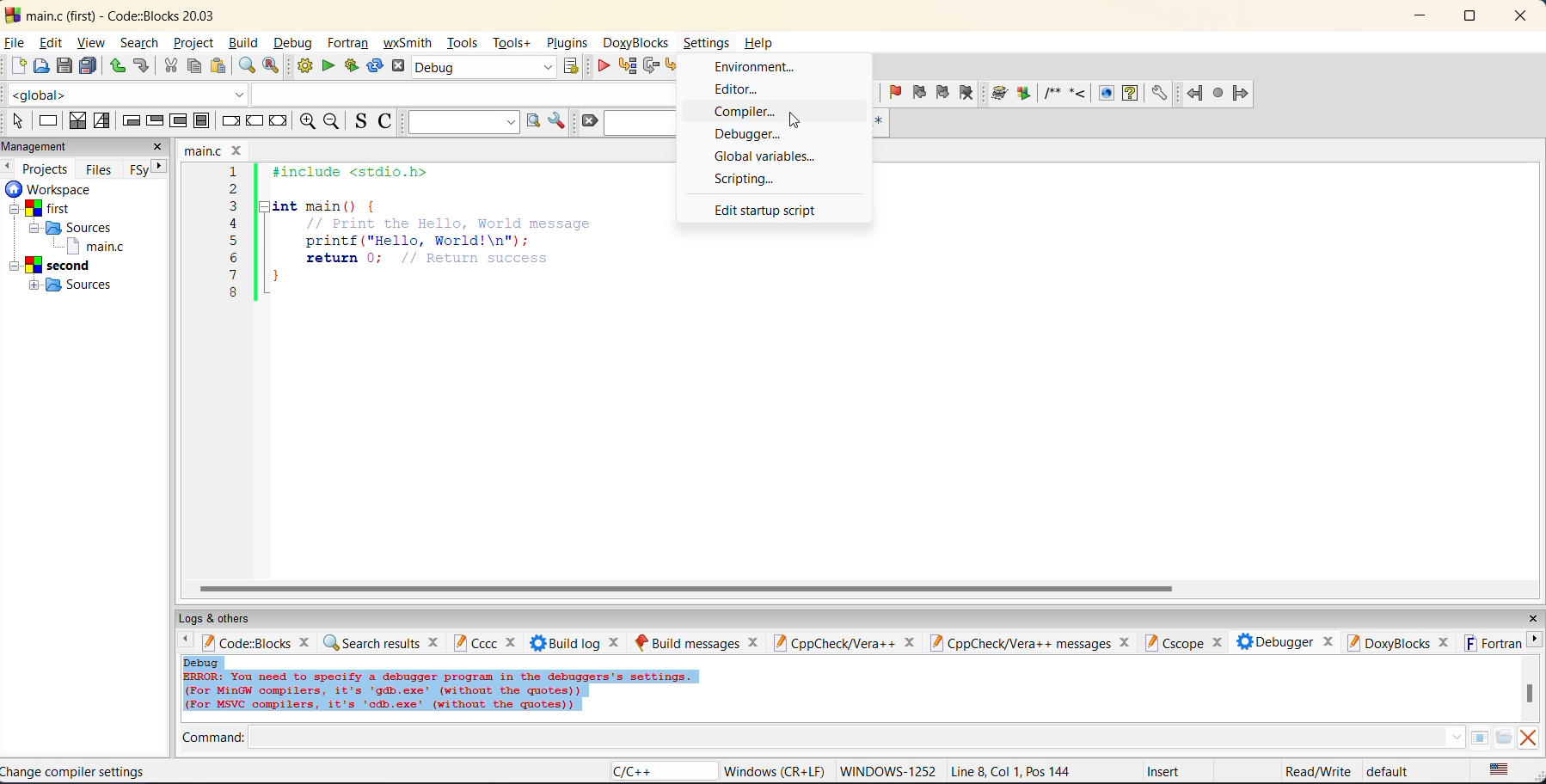  I want to click on cscope, so click(1184, 643).